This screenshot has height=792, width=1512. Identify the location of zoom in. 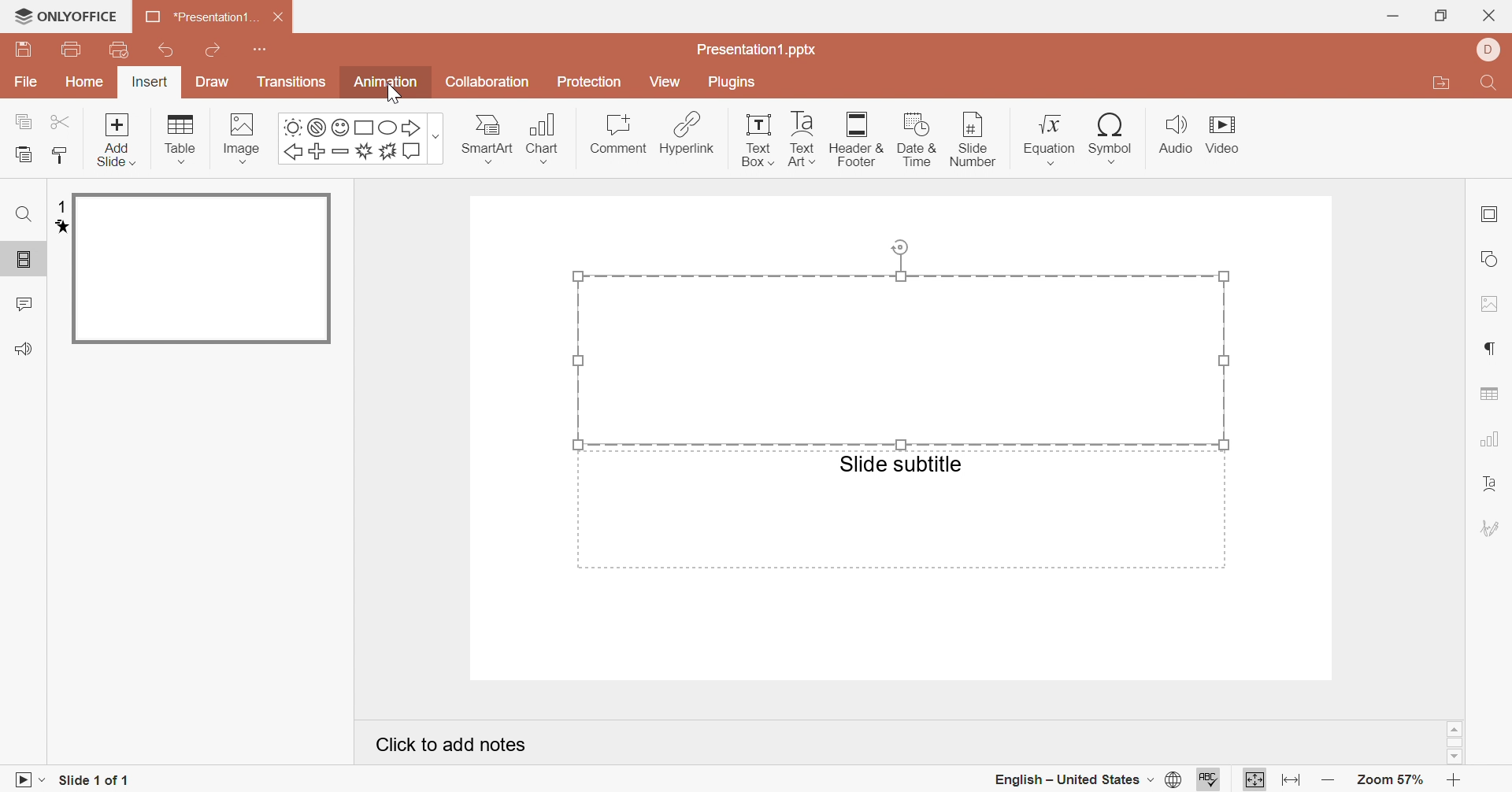
(1457, 781).